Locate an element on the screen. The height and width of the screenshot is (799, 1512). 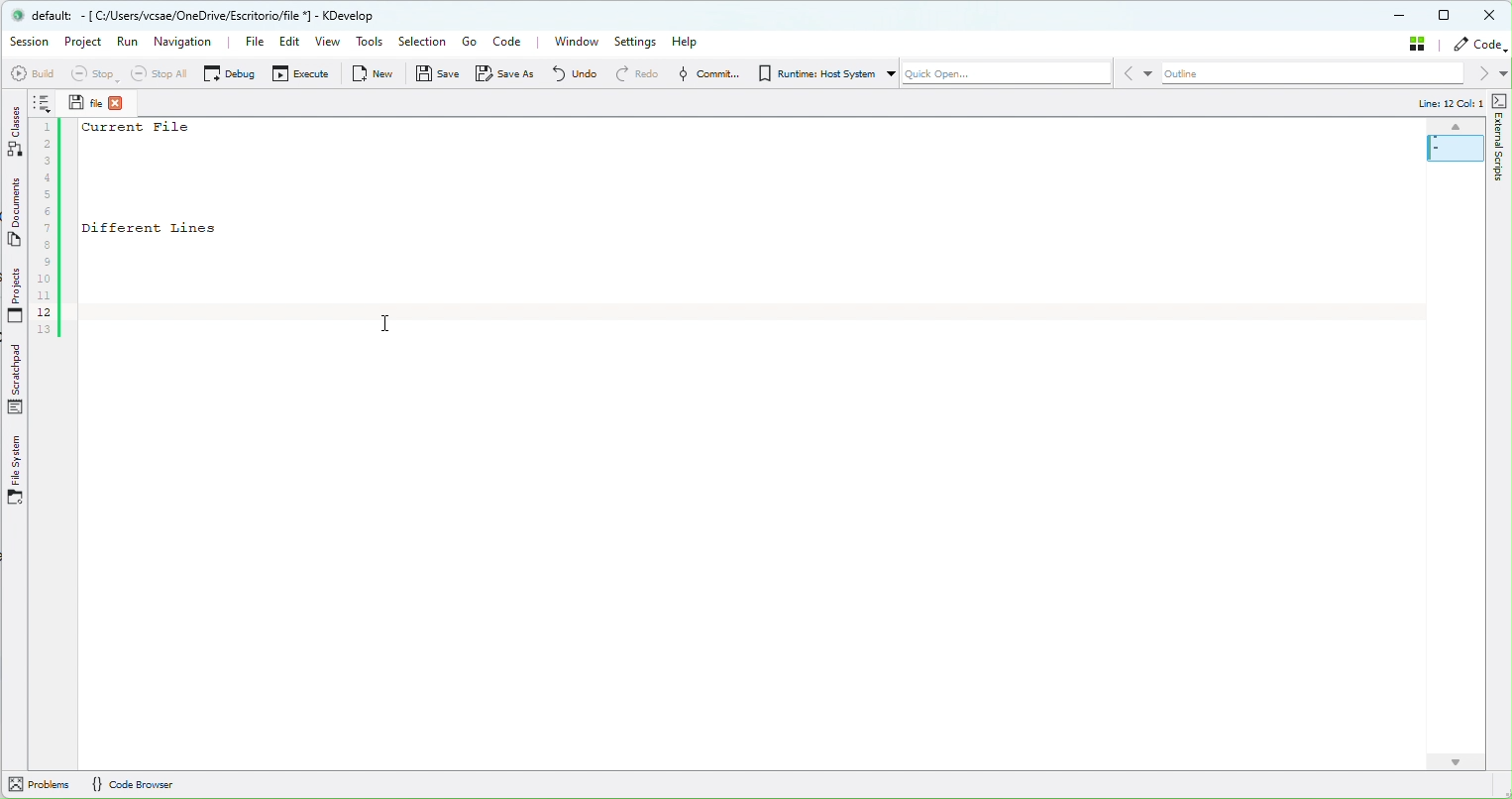
Quick Open is located at coordinates (1007, 73).